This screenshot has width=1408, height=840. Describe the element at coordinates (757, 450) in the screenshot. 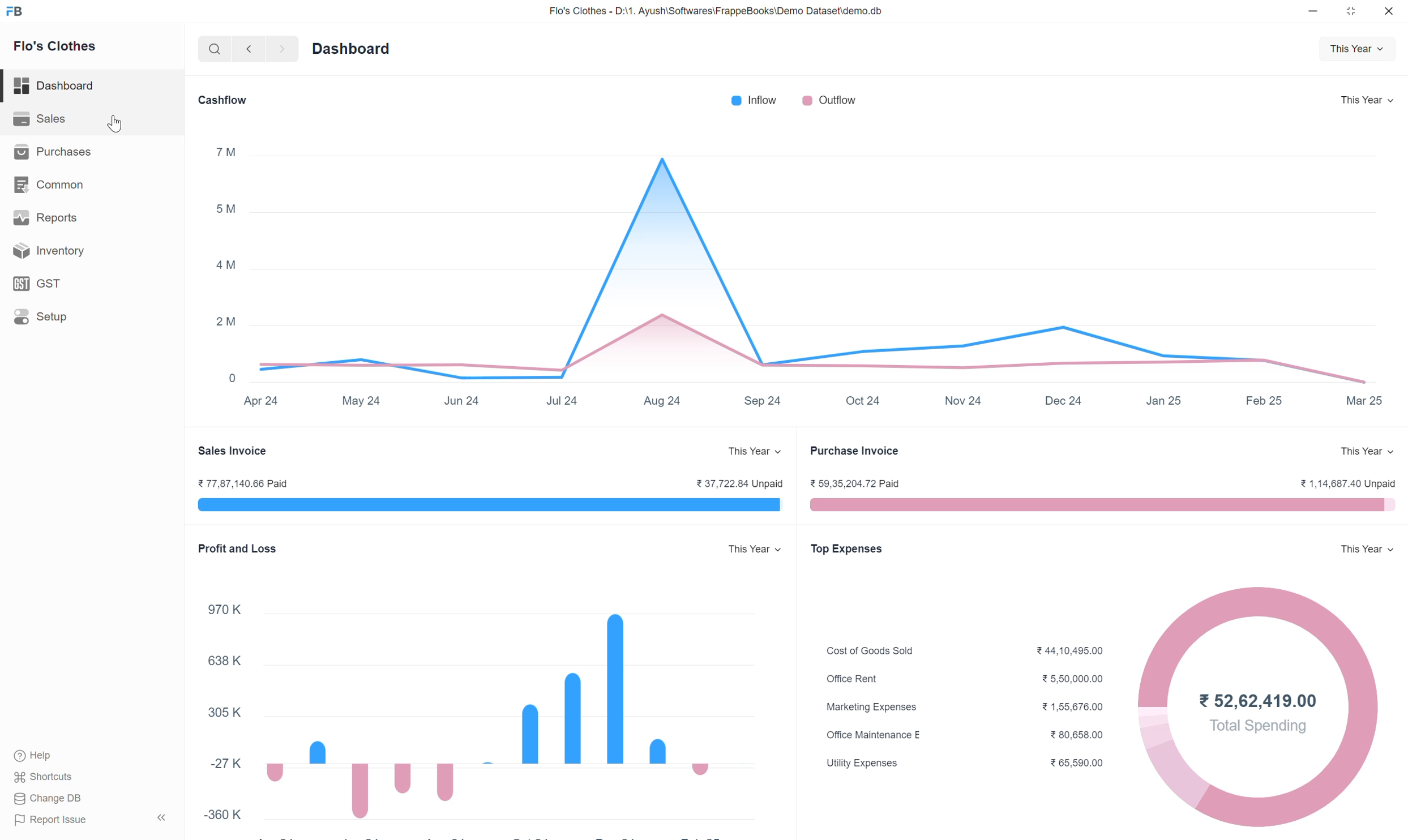

I see `This Year ` at that location.